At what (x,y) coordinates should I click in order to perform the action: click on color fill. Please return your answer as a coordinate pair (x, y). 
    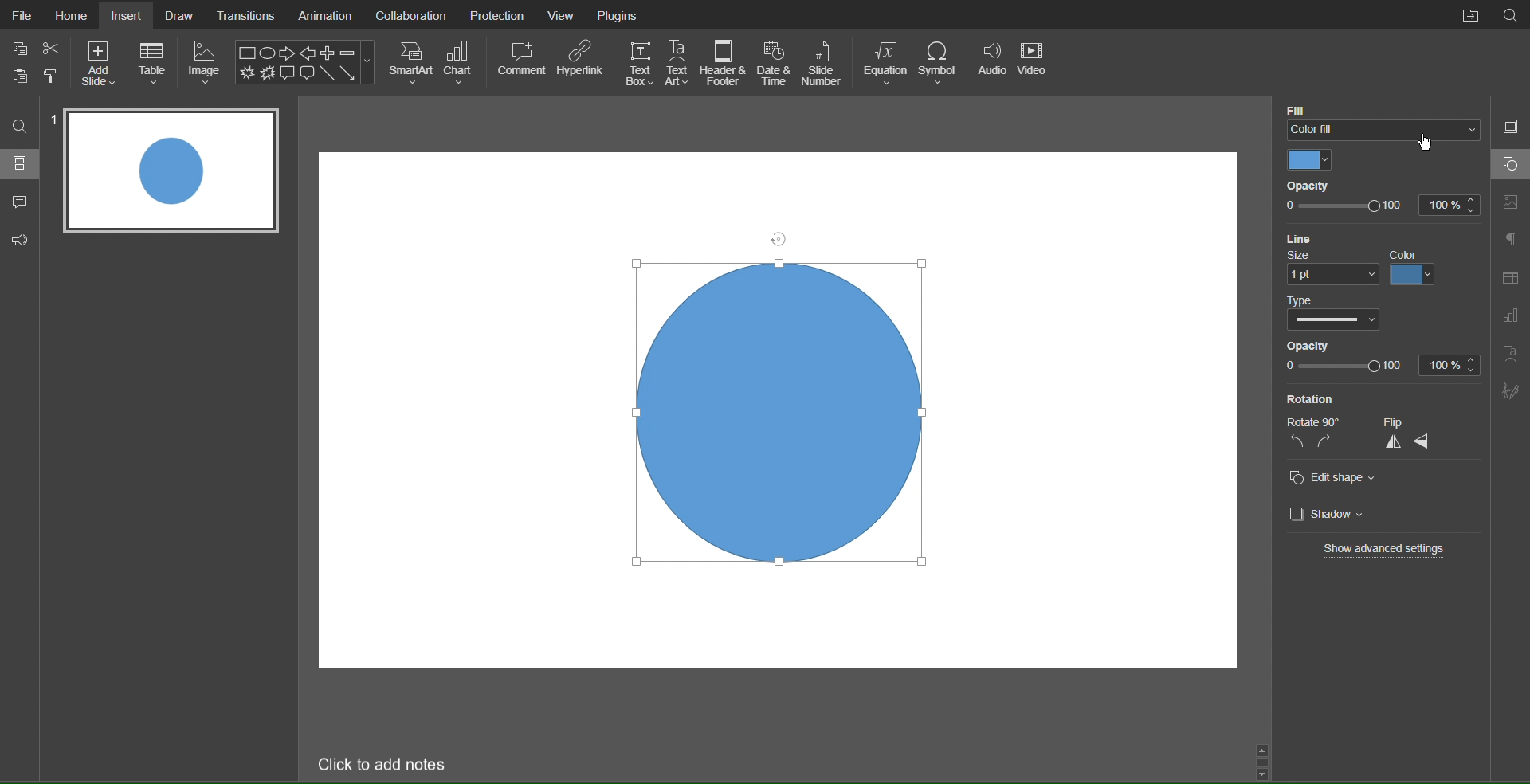
    Looking at the image, I should click on (1380, 130).